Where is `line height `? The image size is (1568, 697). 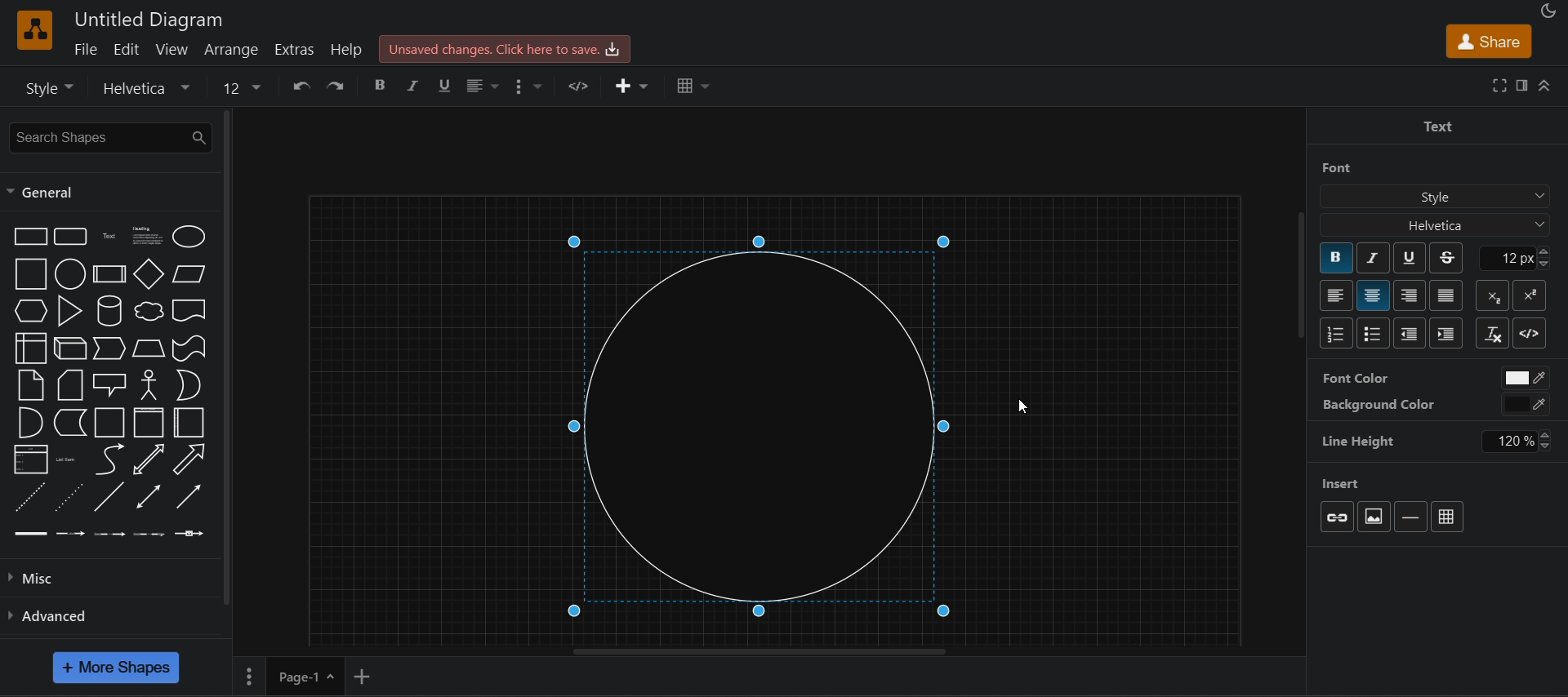 line height  is located at coordinates (1369, 445).